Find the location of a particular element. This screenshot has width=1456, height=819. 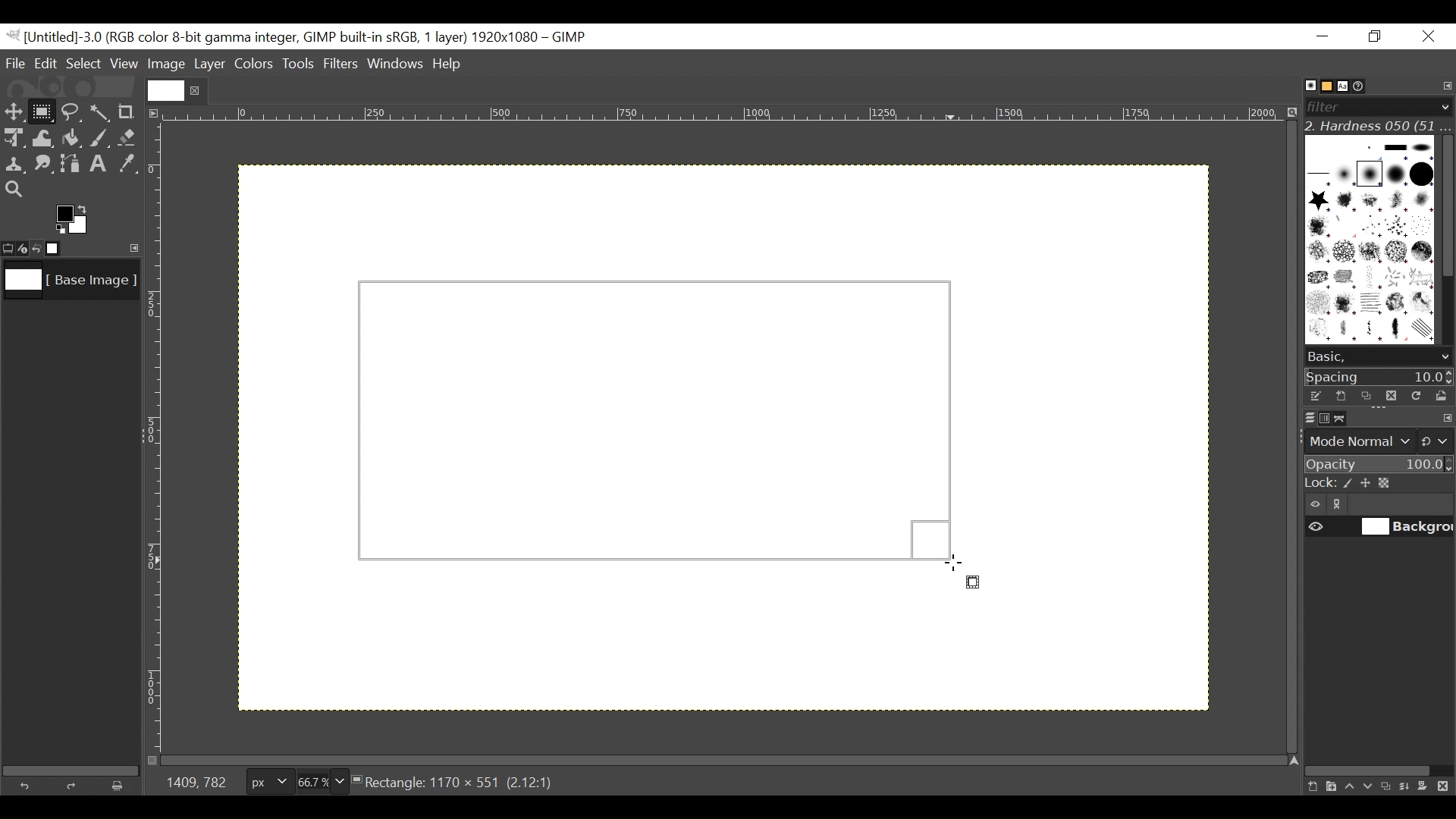

Duplicate brush is located at coordinates (1366, 396).